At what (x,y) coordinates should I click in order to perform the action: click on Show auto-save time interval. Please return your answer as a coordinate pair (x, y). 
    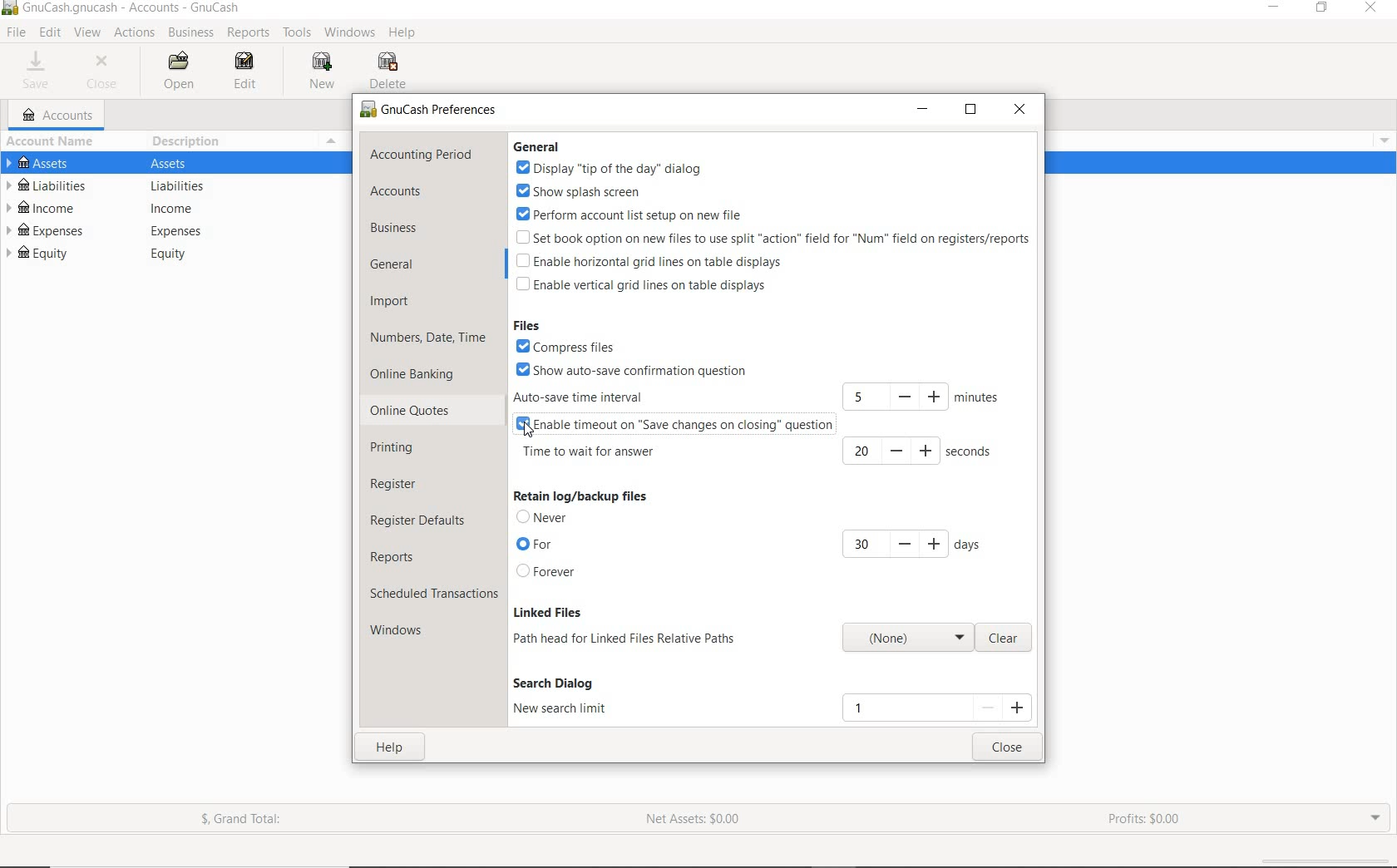
    Looking at the image, I should click on (631, 371).